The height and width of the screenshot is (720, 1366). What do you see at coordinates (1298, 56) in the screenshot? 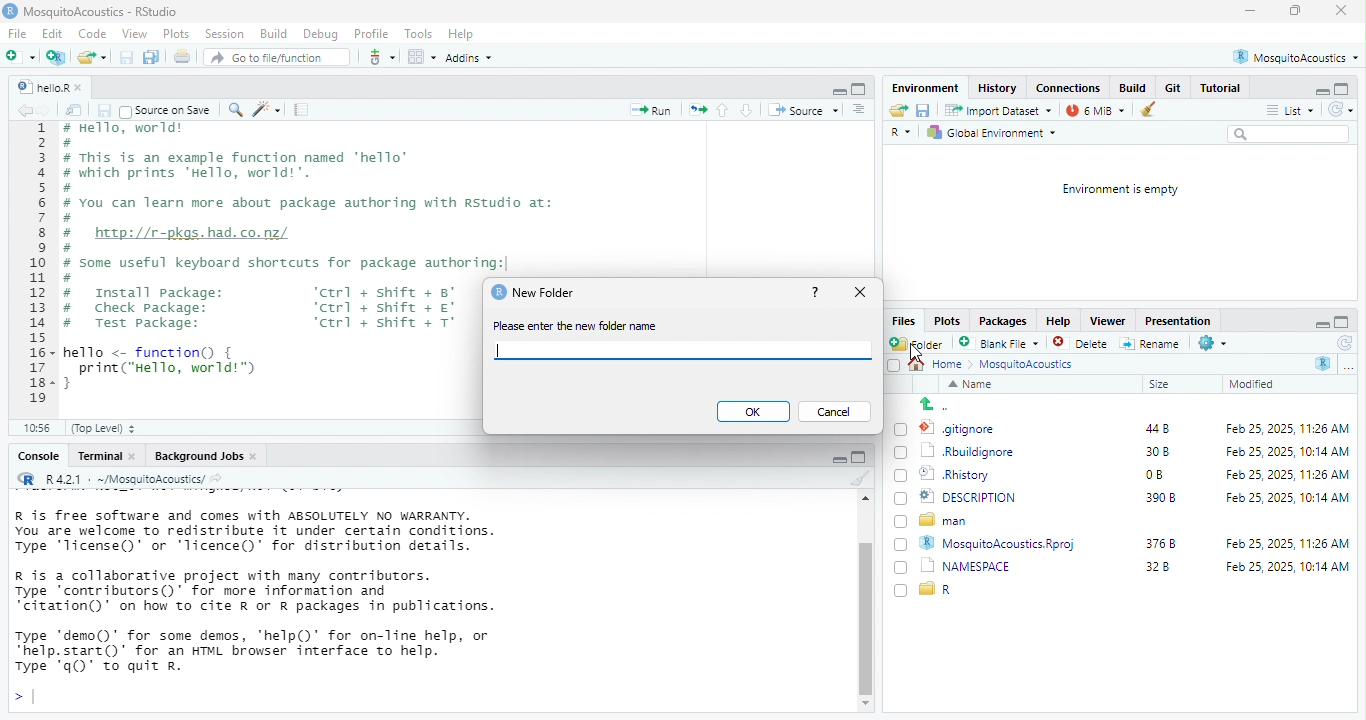
I see `® MosquitoAcoustics *` at bounding box center [1298, 56].